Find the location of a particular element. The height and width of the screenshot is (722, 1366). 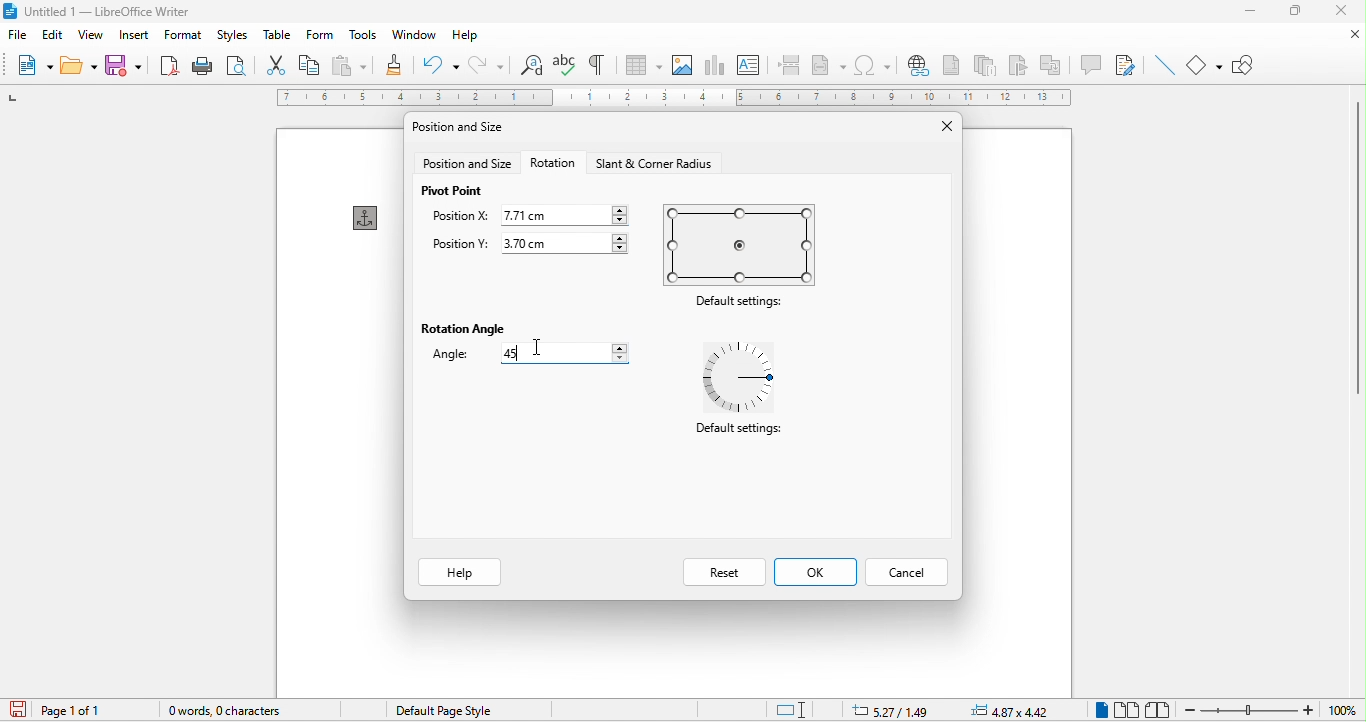

window is located at coordinates (415, 35).